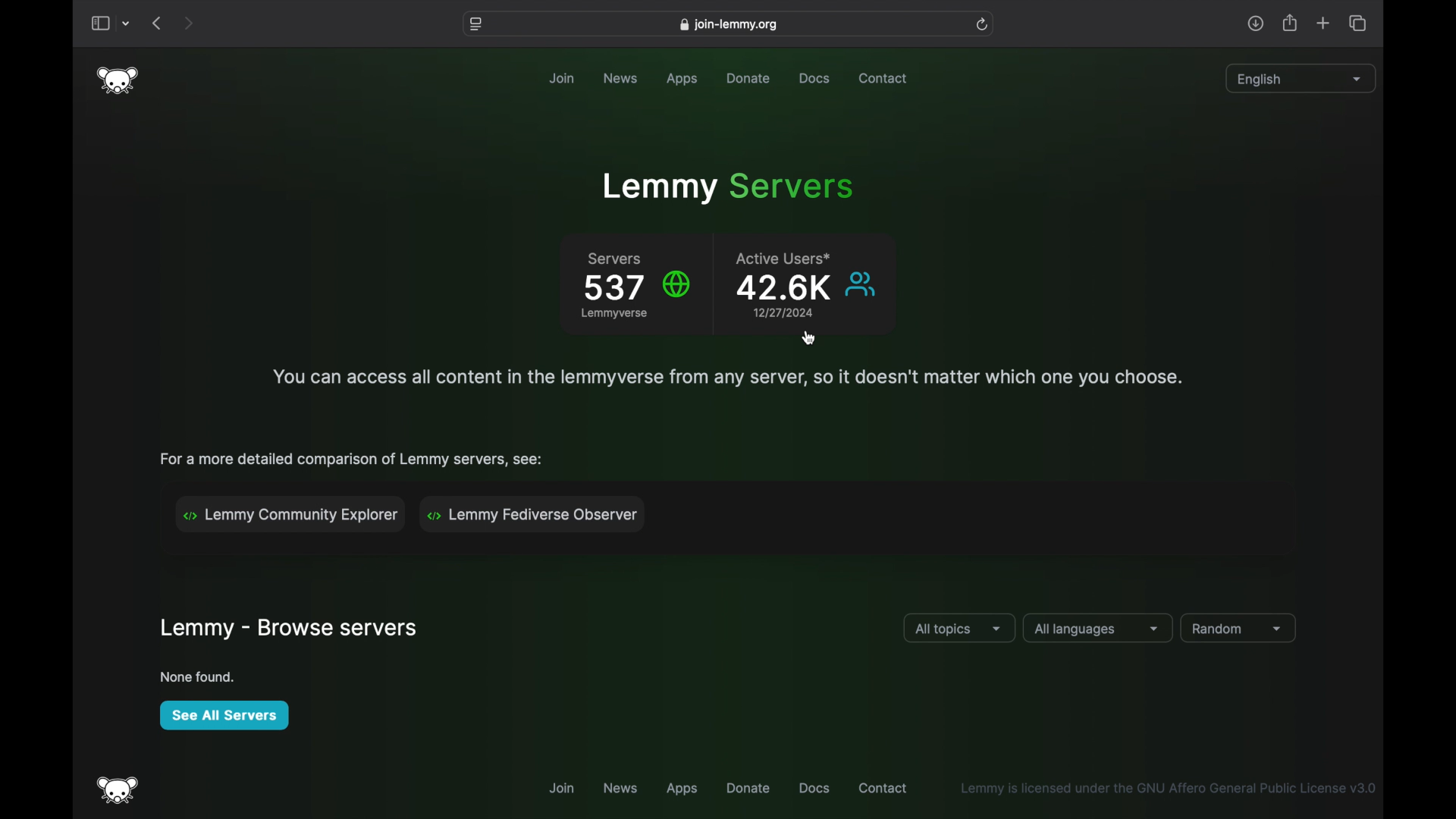  I want to click on 537, so click(613, 288).